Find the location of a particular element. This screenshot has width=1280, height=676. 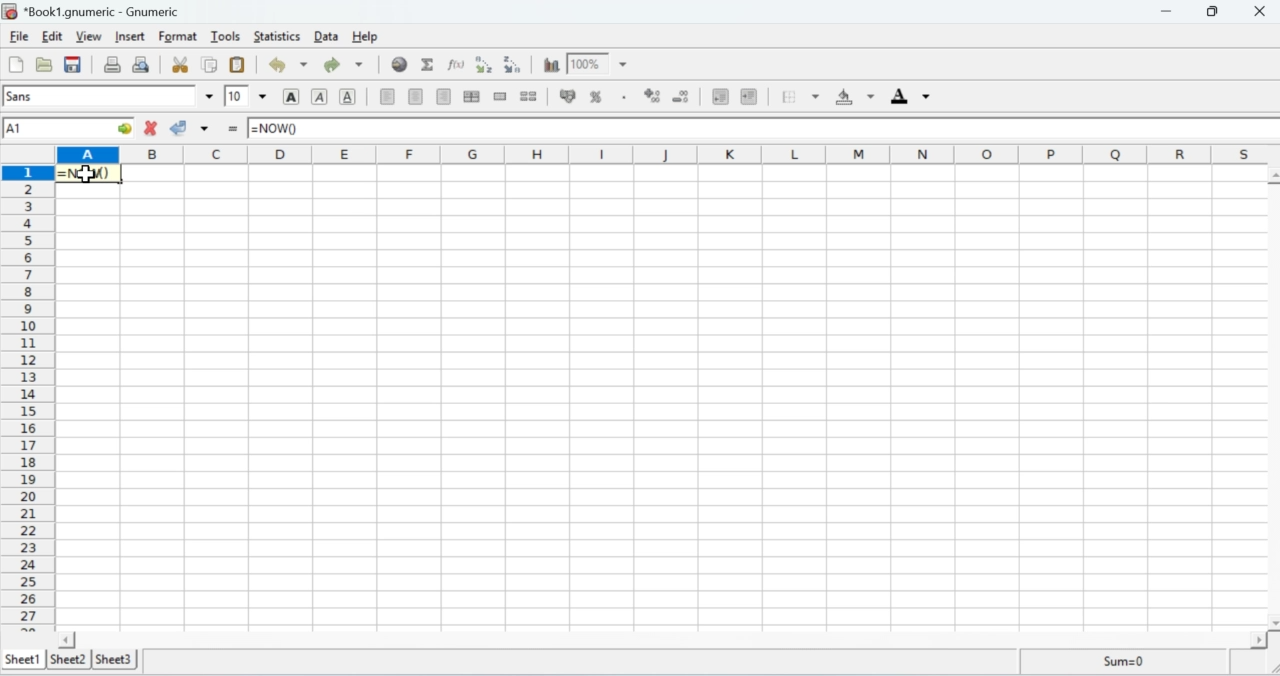

 is located at coordinates (290, 97).